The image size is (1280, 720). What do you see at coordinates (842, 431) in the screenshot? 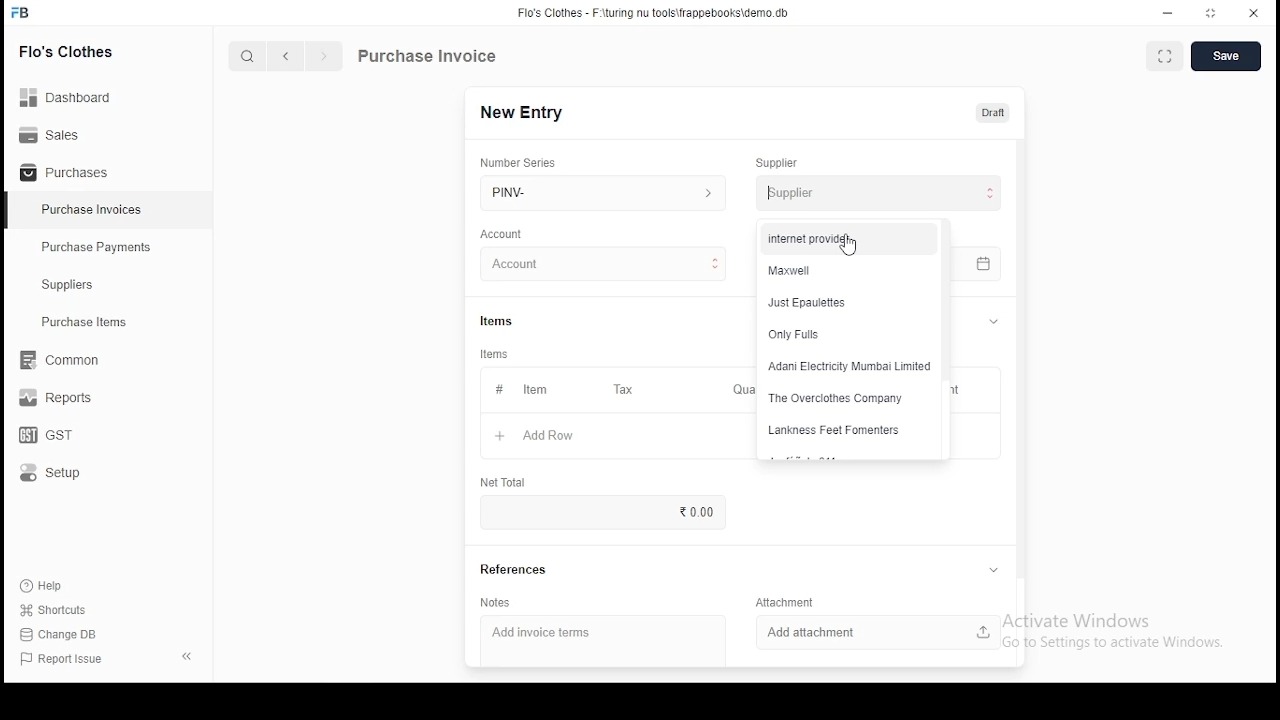
I see `lankless feet fomenters` at bounding box center [842, 431].